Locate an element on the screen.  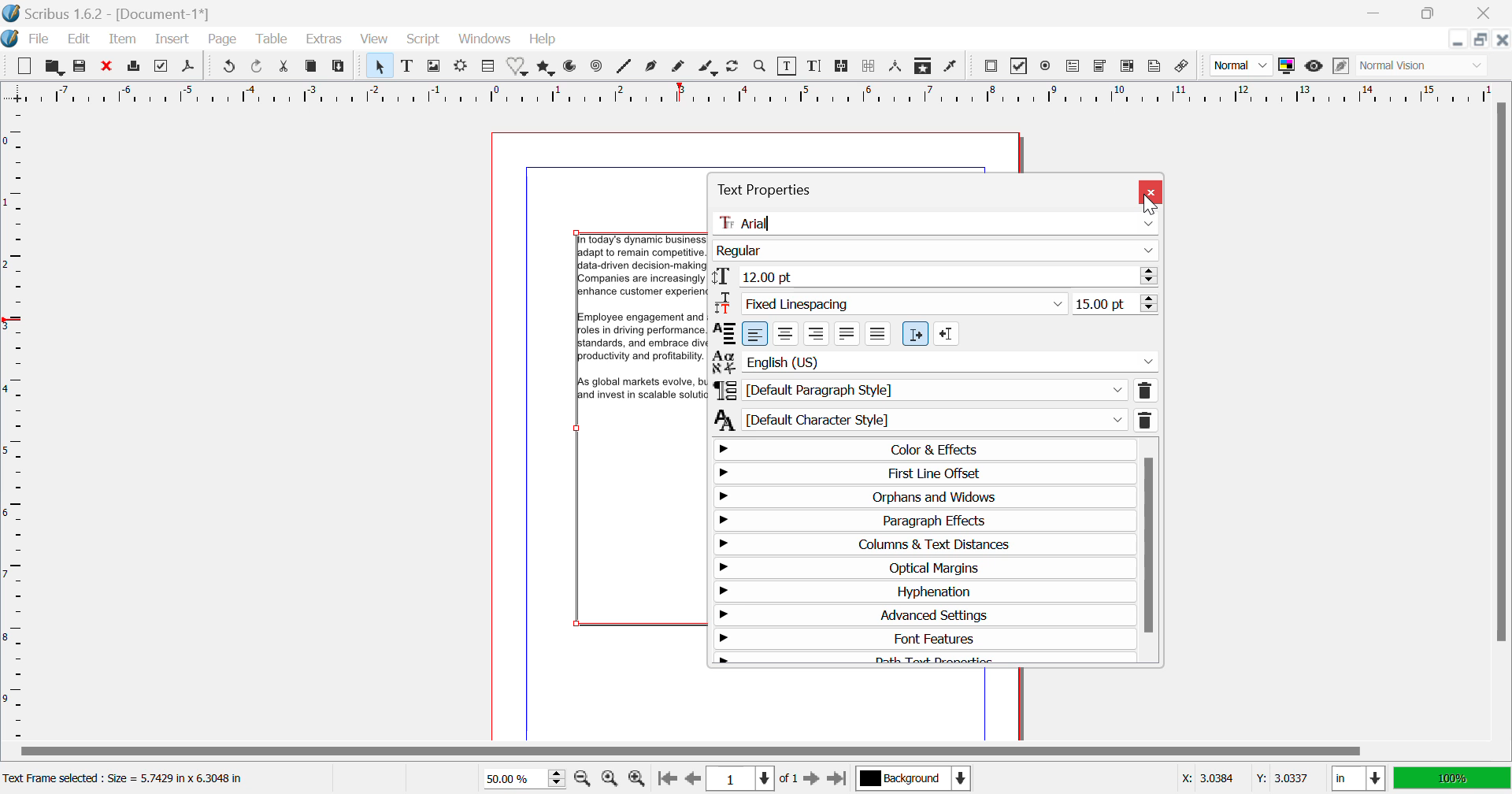
Link Annotation is located at coordinates (1184, 68).